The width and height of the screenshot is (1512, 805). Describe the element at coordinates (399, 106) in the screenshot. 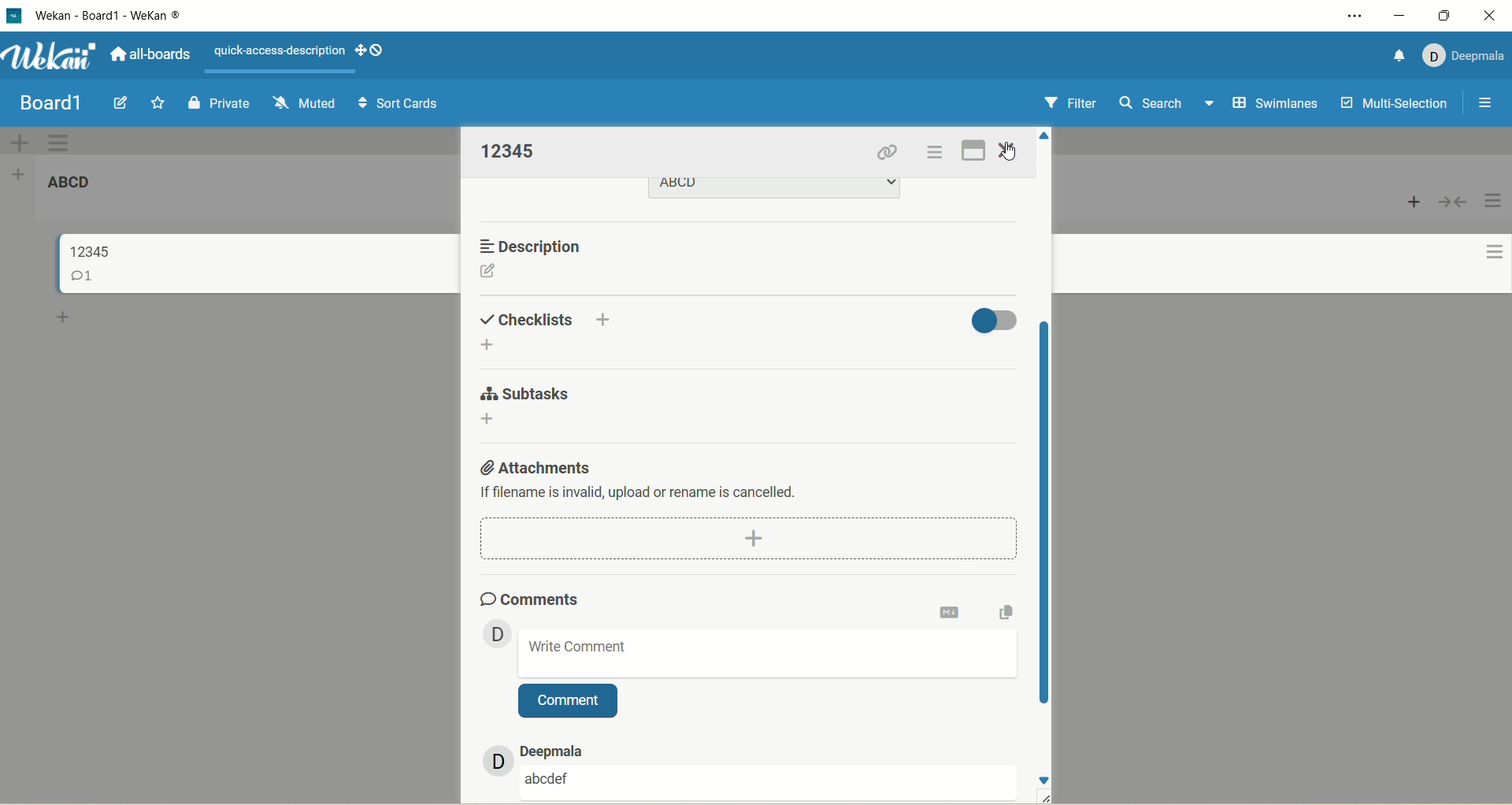

I see `sort cards` at that location.